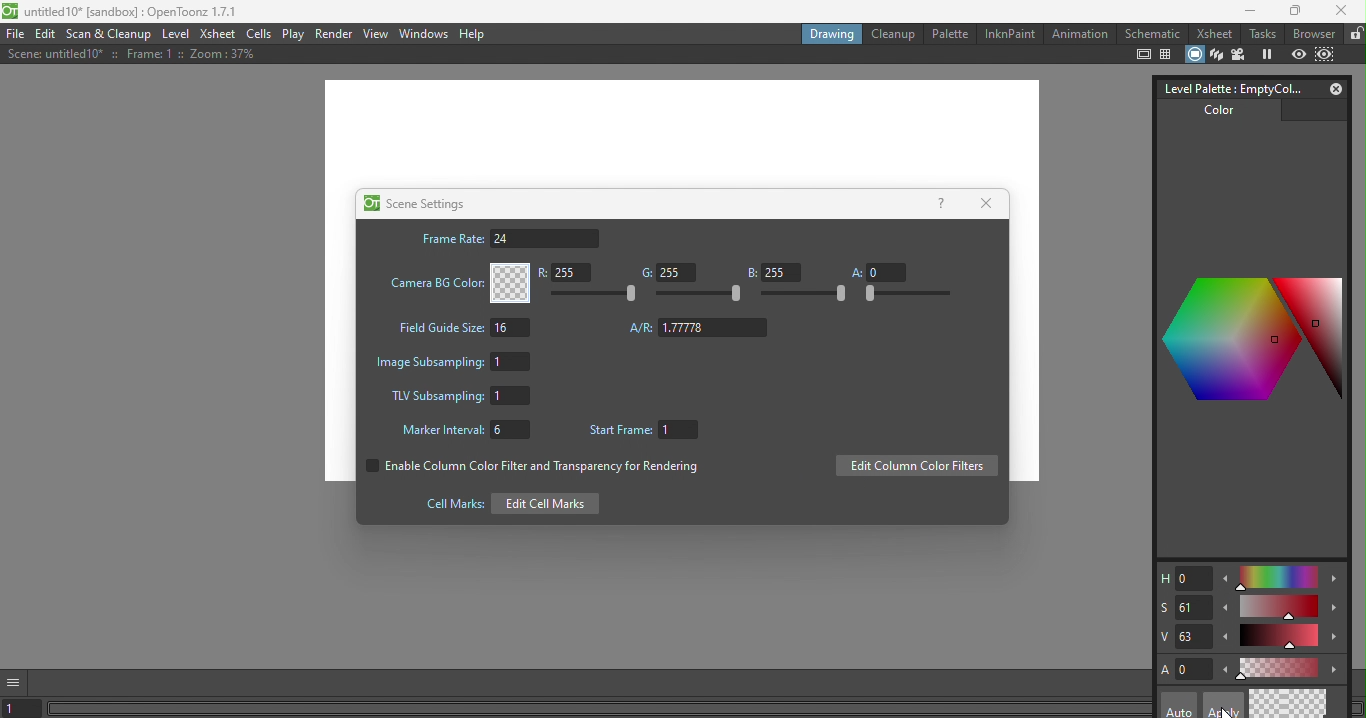 The height and width of the screenshot is (718, 1366). What do you see at coordinates (1336, 640) in the screenshot?
I see `Increase` at bounding box center [1336, 640].